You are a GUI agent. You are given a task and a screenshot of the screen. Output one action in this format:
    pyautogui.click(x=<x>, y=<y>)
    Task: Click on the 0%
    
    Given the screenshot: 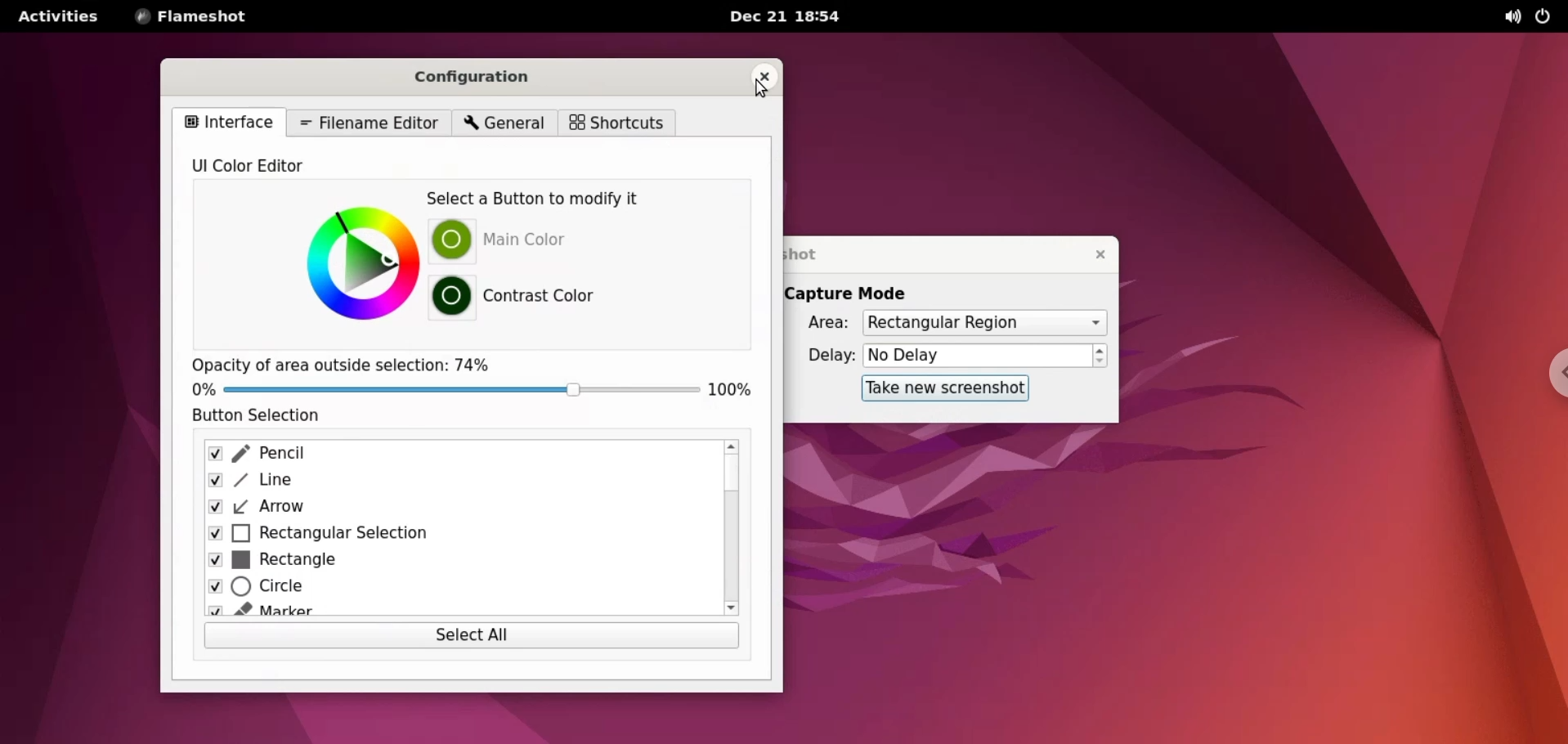 What is the action you would take?
    pyautogui.click(x=204, y=391)
    